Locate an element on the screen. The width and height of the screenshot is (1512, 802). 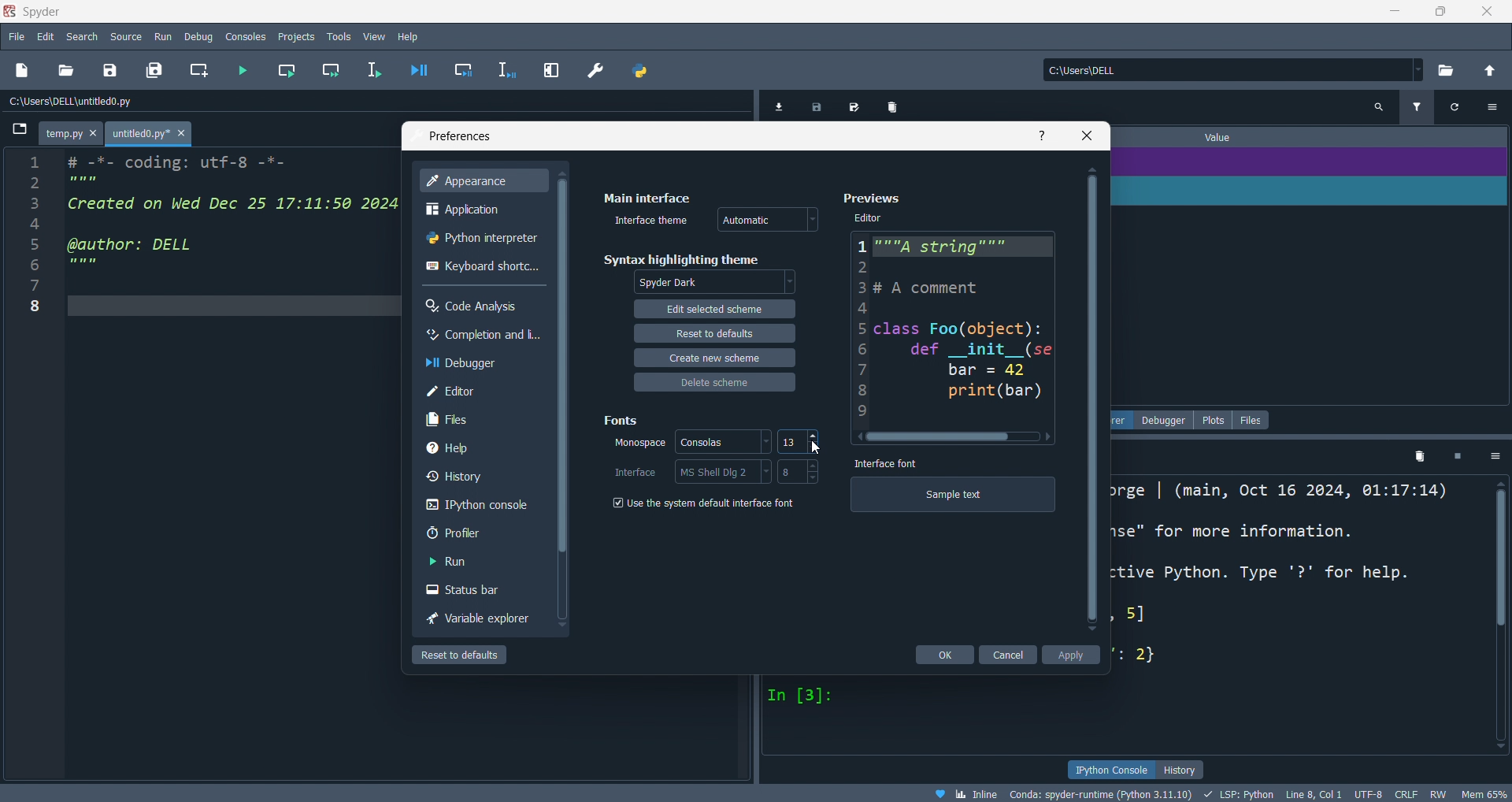
import data is located at coordinates (783, 104).